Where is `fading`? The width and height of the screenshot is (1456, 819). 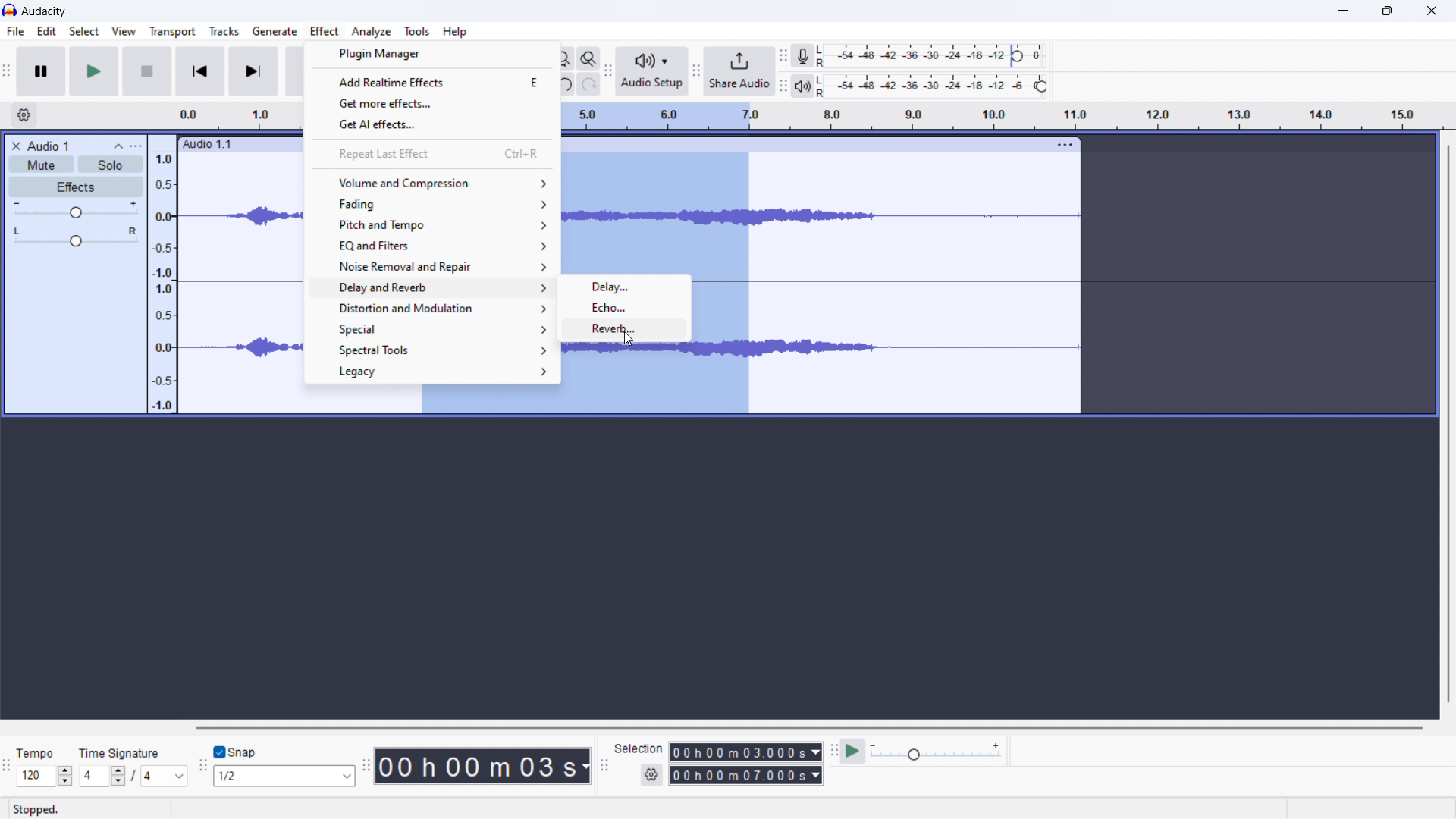 fading is located at coordinates (429, 206).